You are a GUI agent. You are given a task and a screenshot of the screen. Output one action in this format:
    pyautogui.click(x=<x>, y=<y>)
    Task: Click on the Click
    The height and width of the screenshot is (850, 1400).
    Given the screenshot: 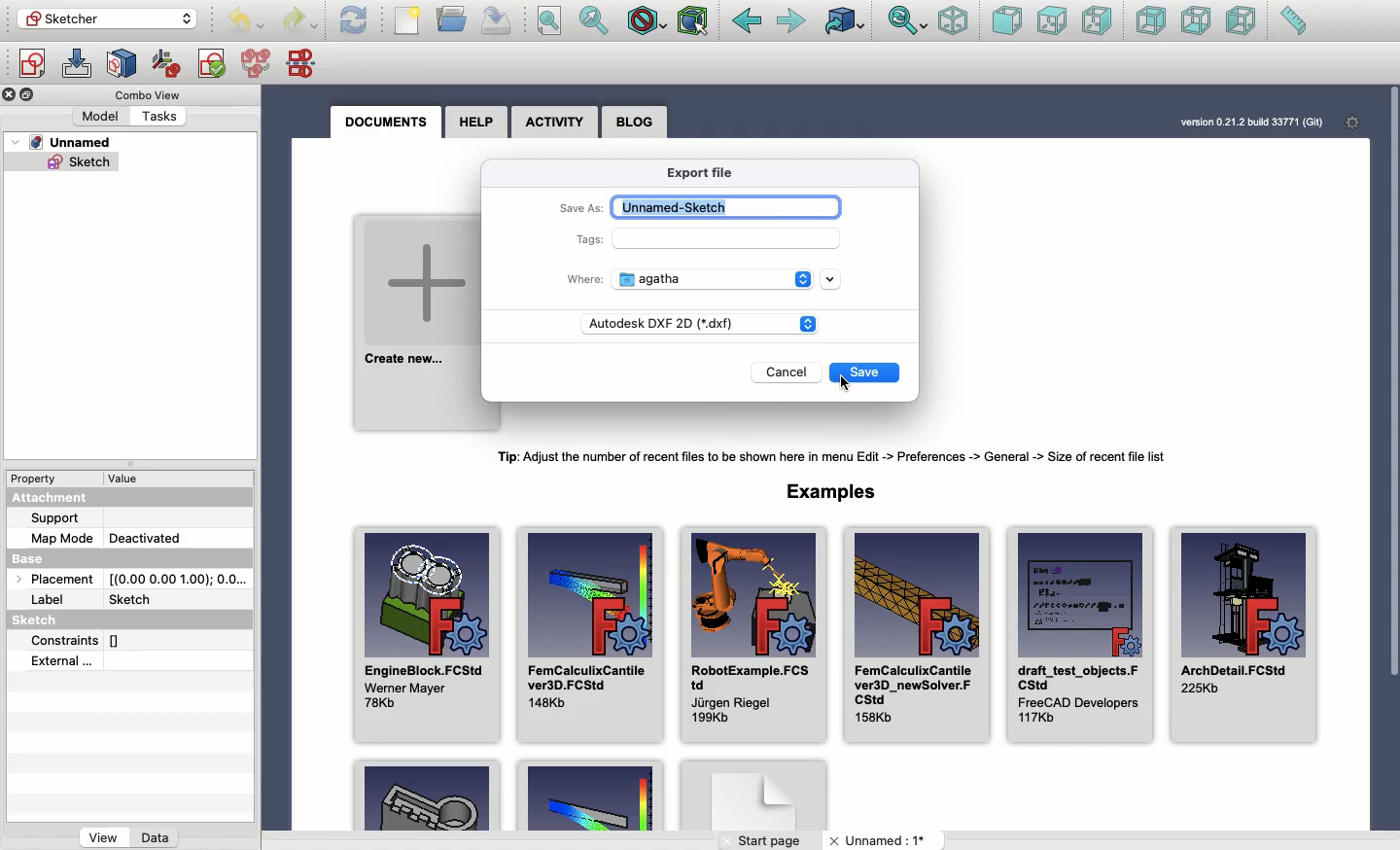 What is the action you would take?
    pyautogui.click(x=845, y=381)
    